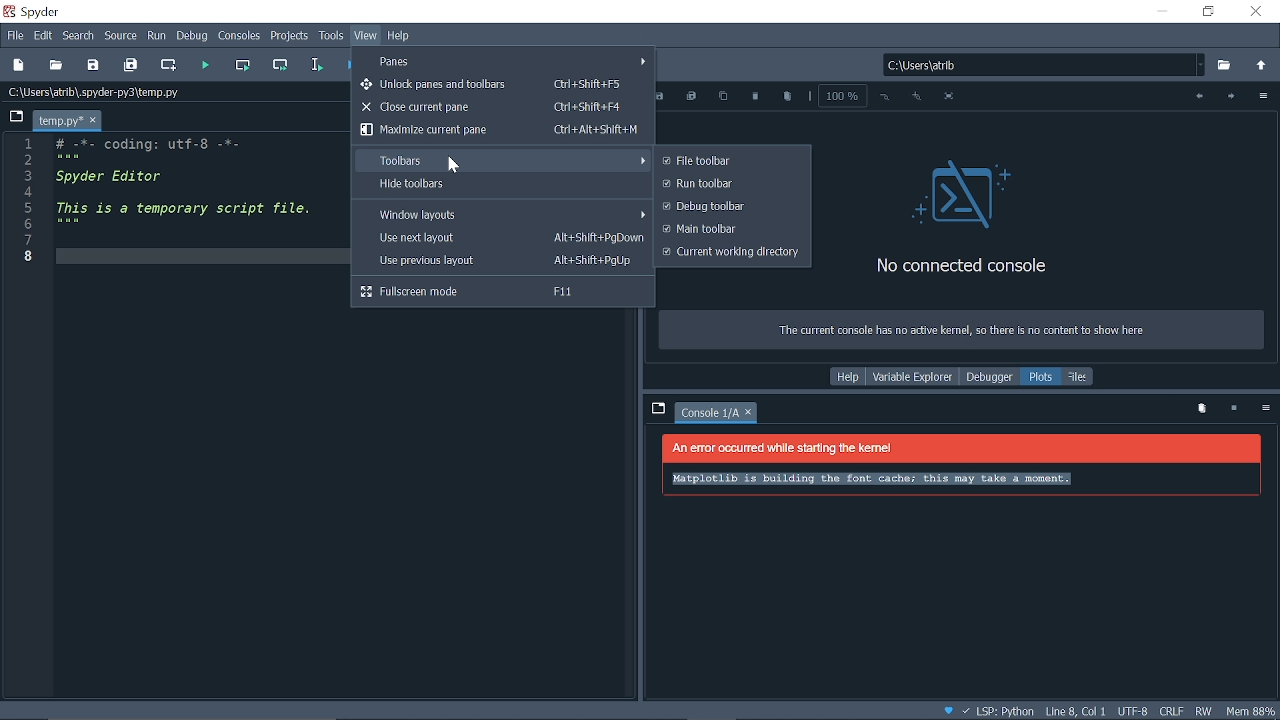  What do you see at coordinates (1209, 12) in the screenshot?
I see `Restore down` at bounding box center [1209, 12].